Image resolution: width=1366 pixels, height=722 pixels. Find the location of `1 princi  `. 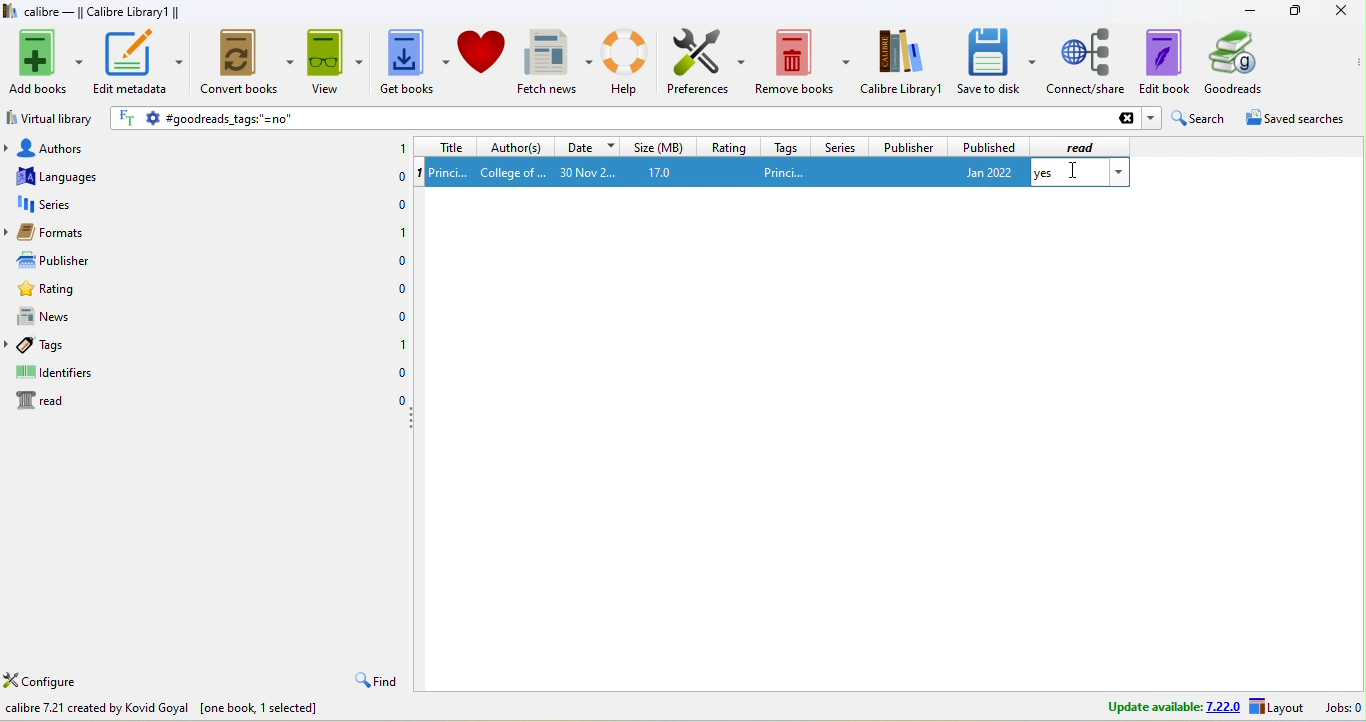

1 princi   is located at coordinates (450, 172).